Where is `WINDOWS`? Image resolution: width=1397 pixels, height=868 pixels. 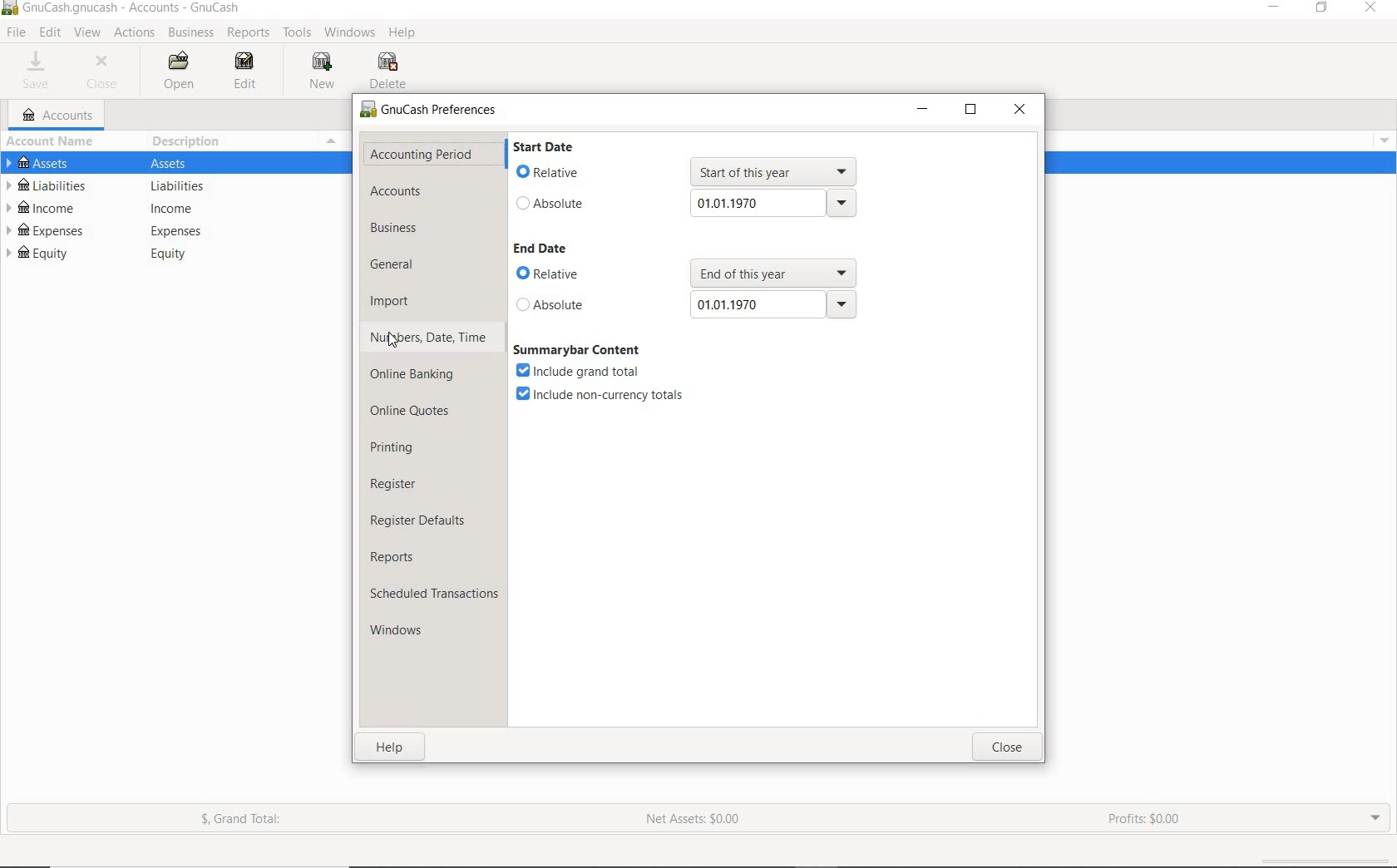
WINDOWS is located at coordinates (349, 33).